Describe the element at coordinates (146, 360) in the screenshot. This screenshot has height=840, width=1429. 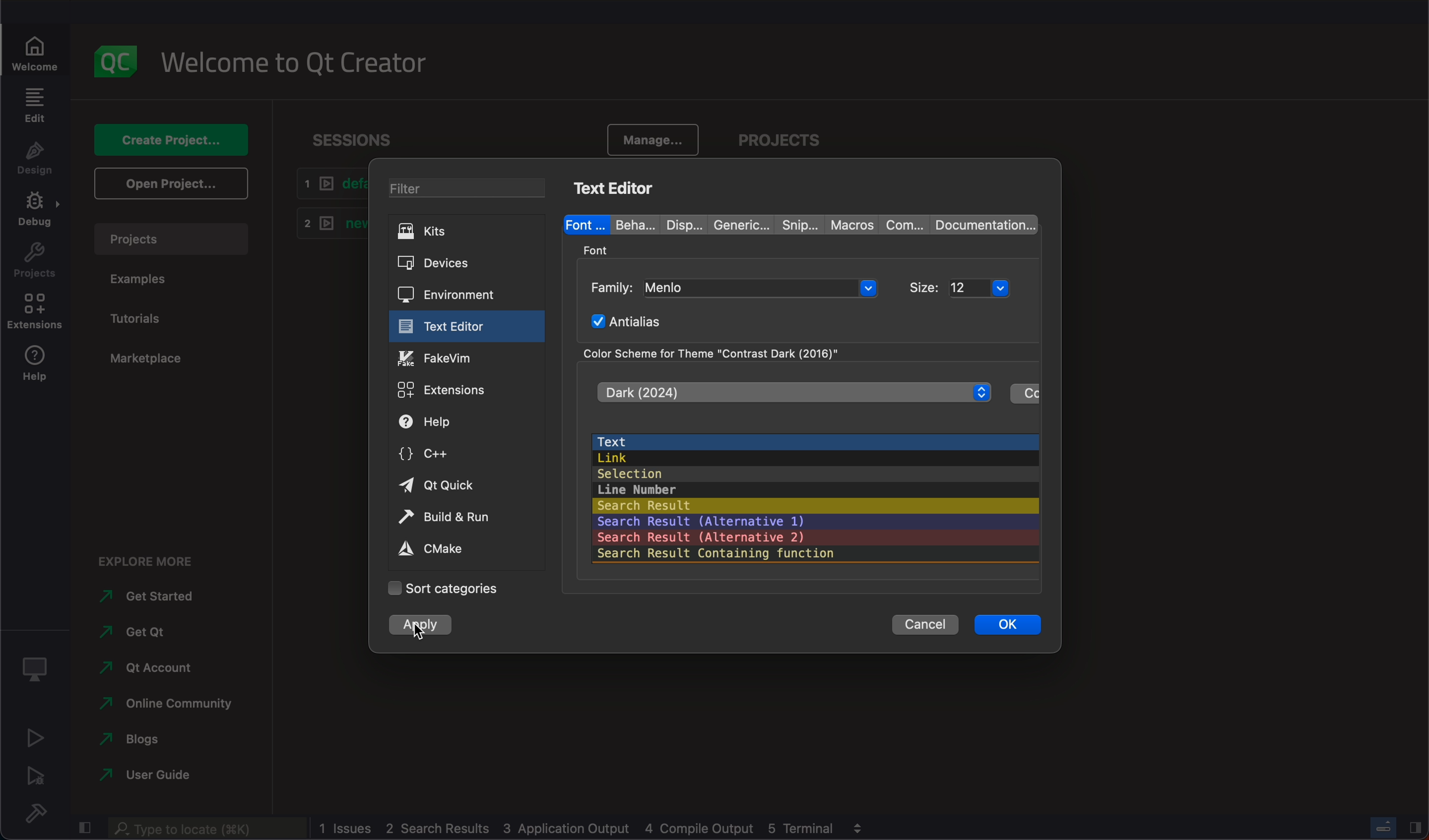
I see `marketplace` at that location.